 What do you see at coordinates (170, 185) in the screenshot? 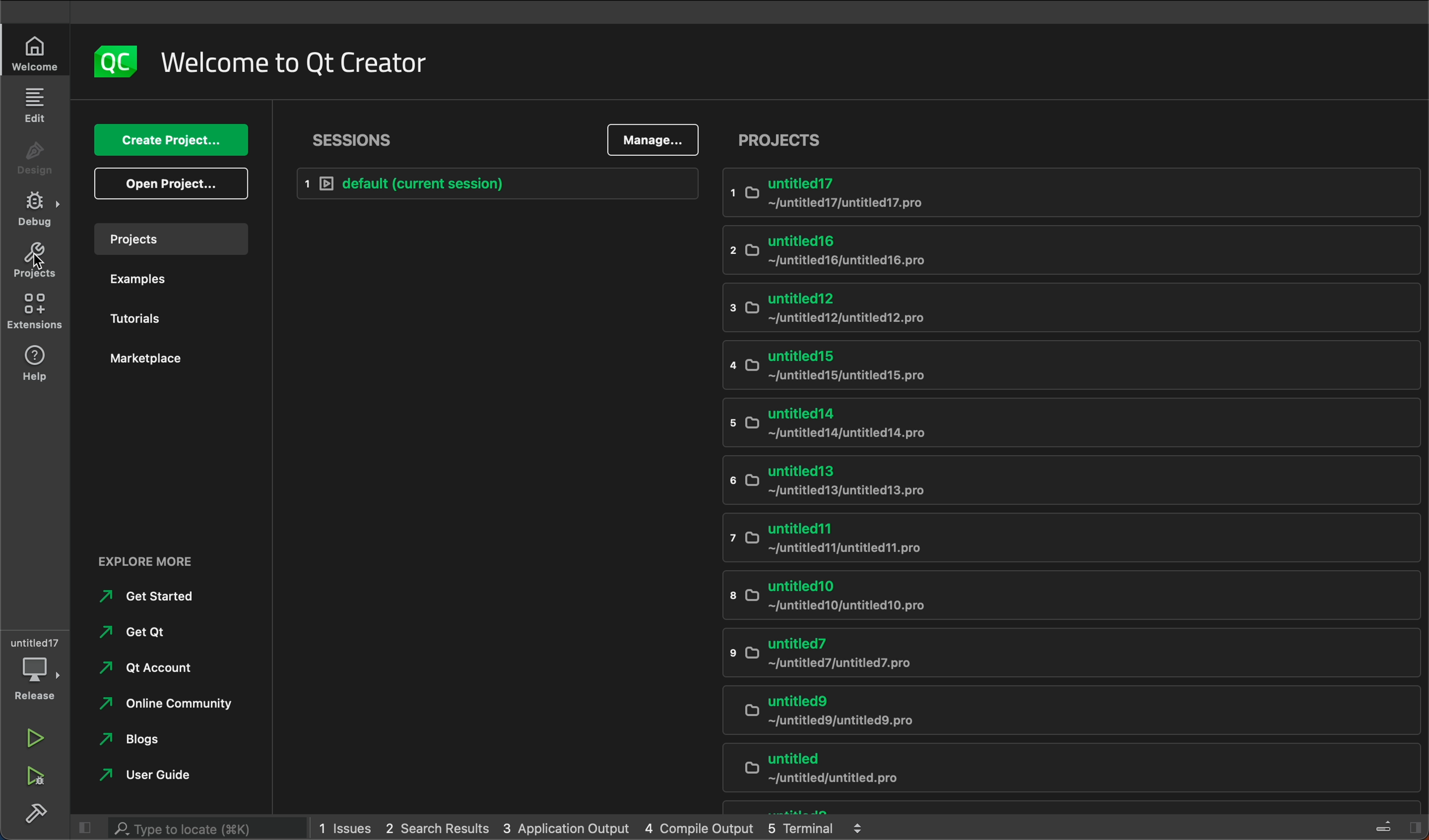
I see `open project` at bounding box center [170, 185].